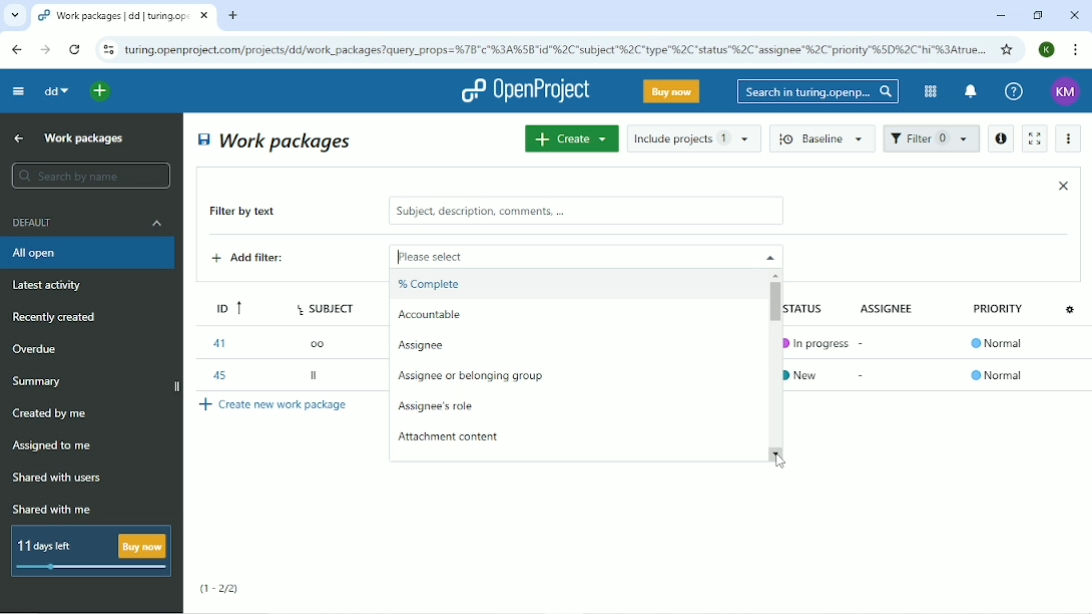 Image resolution: width=1092 pixels, height=614 pixels. Describe the element at coordinates (89, 222) in the screenshot. I see `Default` at that location.